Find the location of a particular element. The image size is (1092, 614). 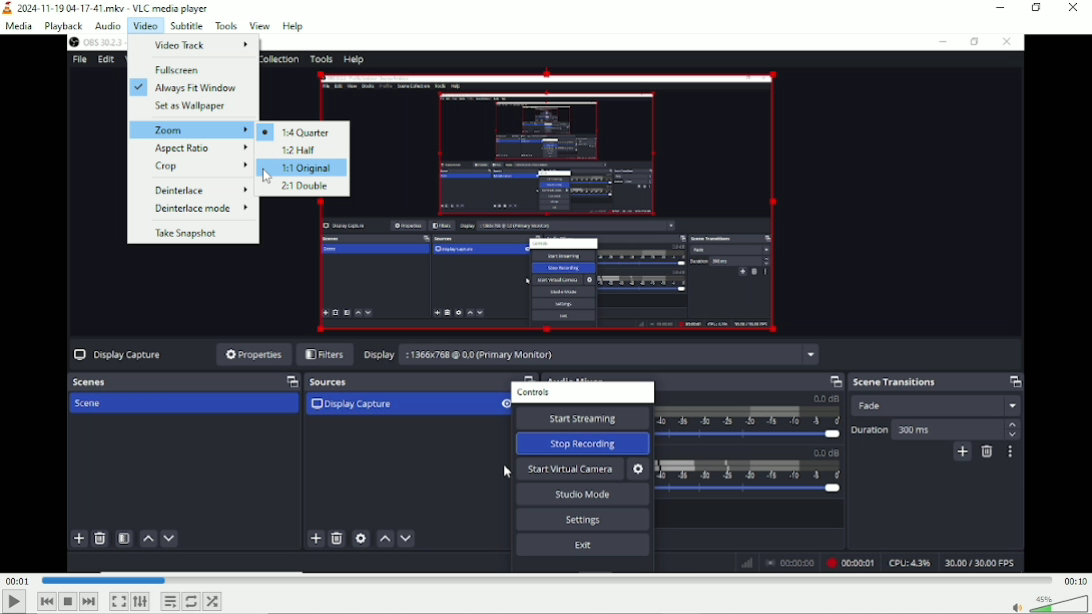

Minimize is located at coordinates (1001, 8).